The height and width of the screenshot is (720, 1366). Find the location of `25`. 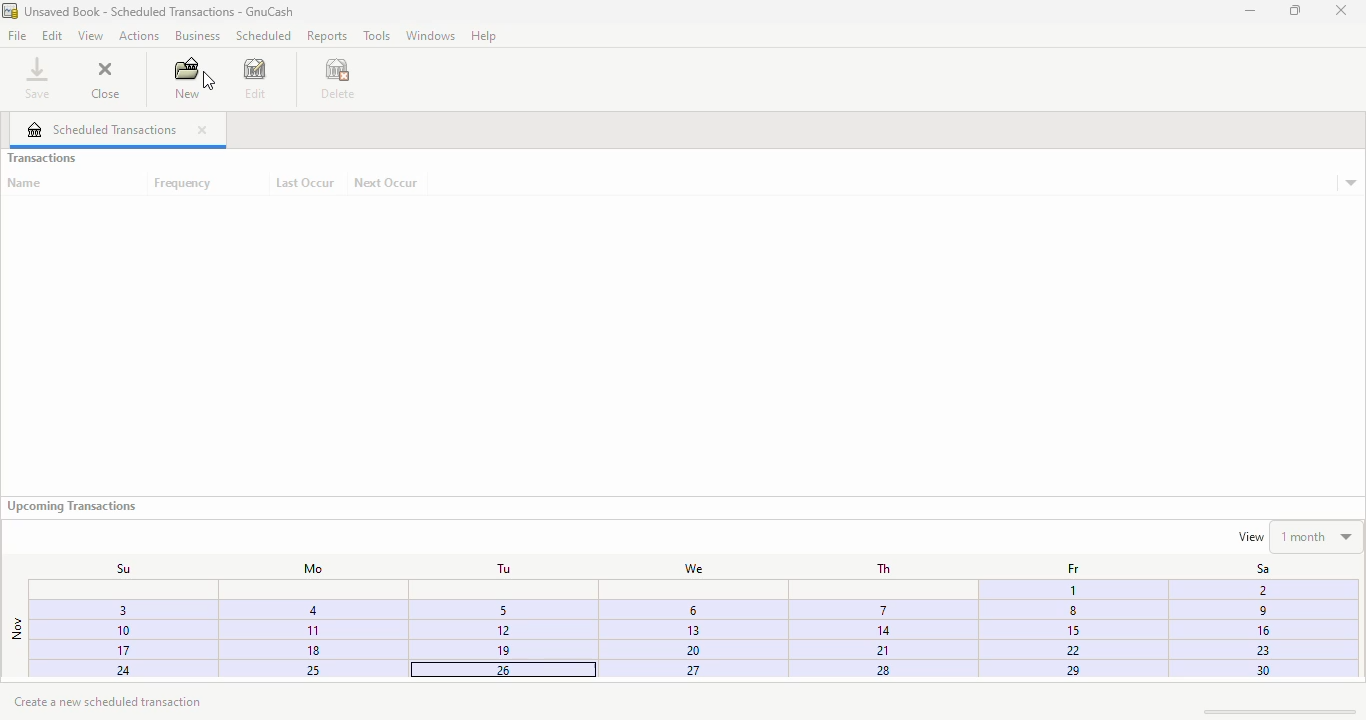

25 is located at coordinates (500, 670).